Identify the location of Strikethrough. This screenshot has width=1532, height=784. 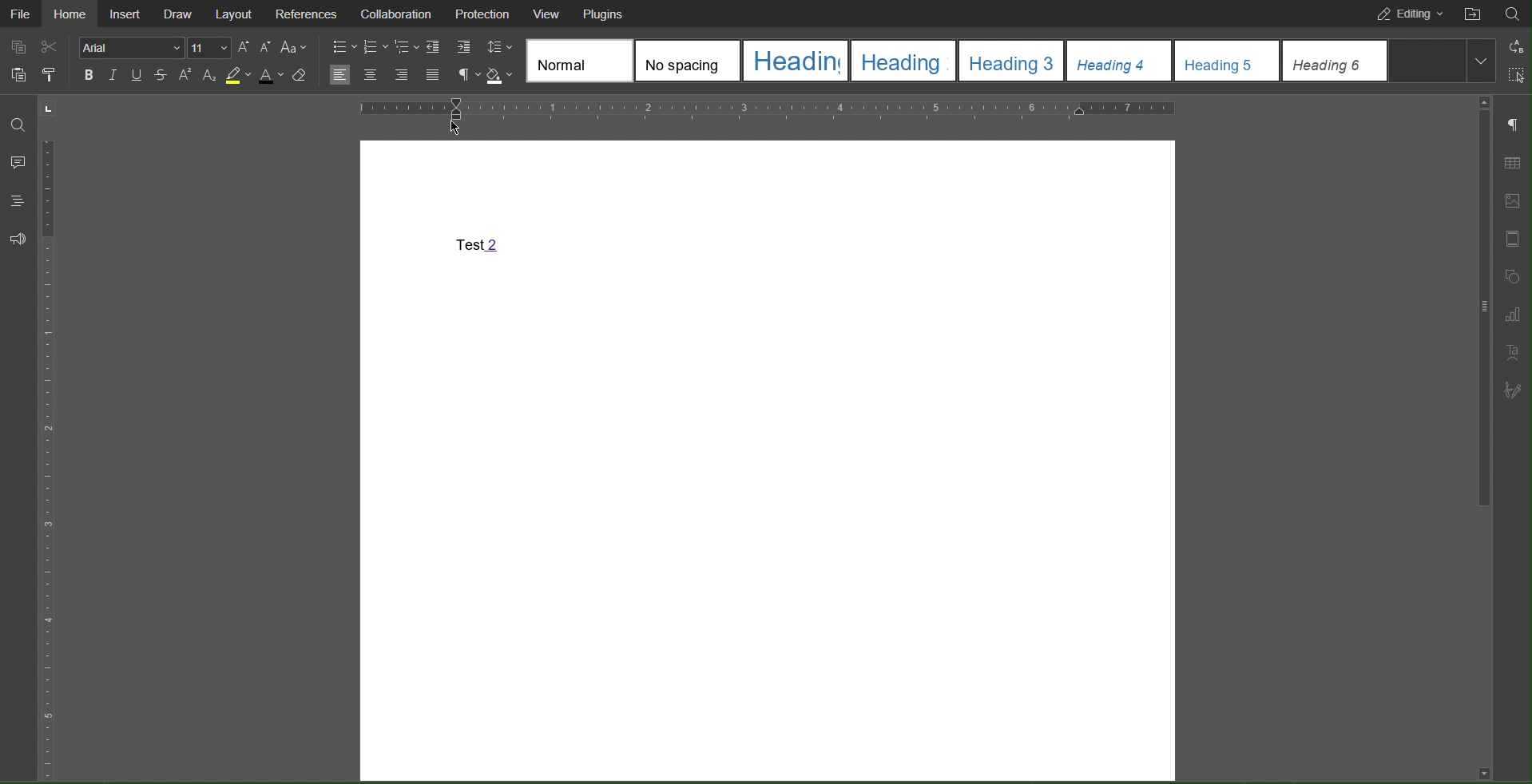
(160, 73).